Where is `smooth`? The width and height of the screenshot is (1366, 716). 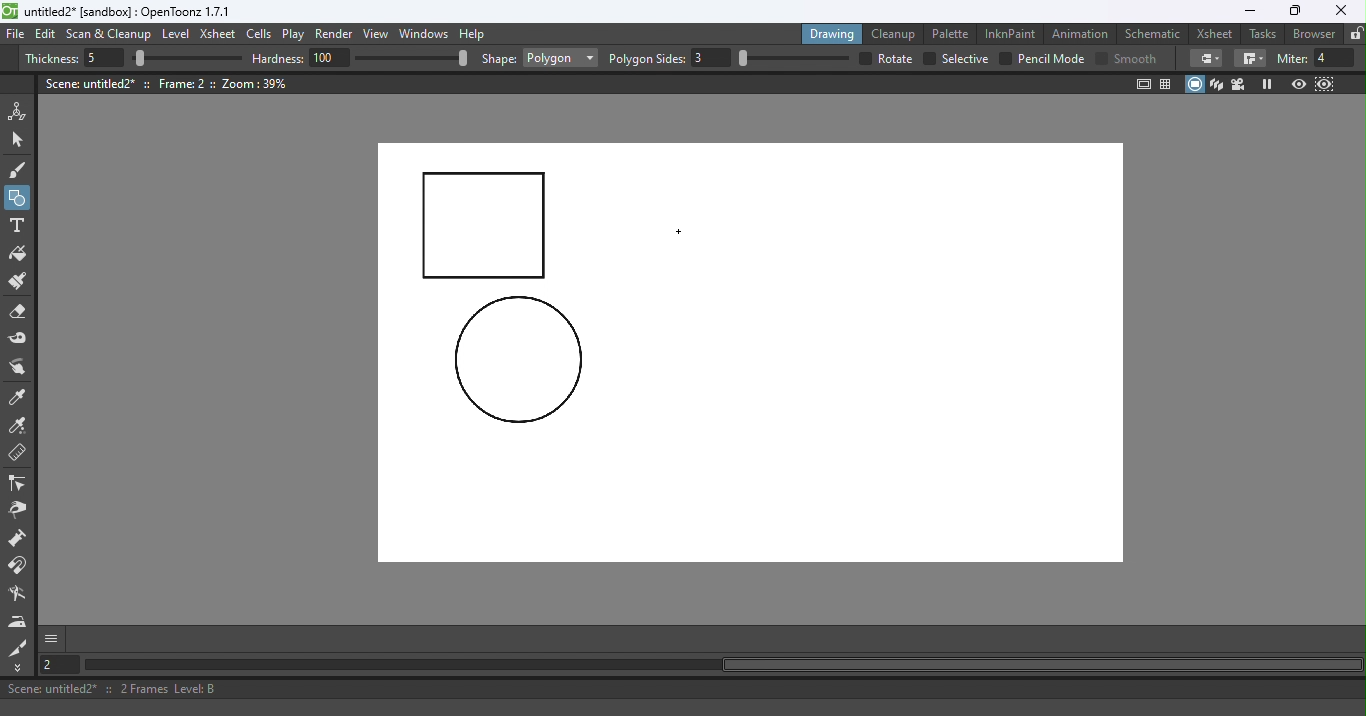
smooth is located at coordinates (1138, 58).